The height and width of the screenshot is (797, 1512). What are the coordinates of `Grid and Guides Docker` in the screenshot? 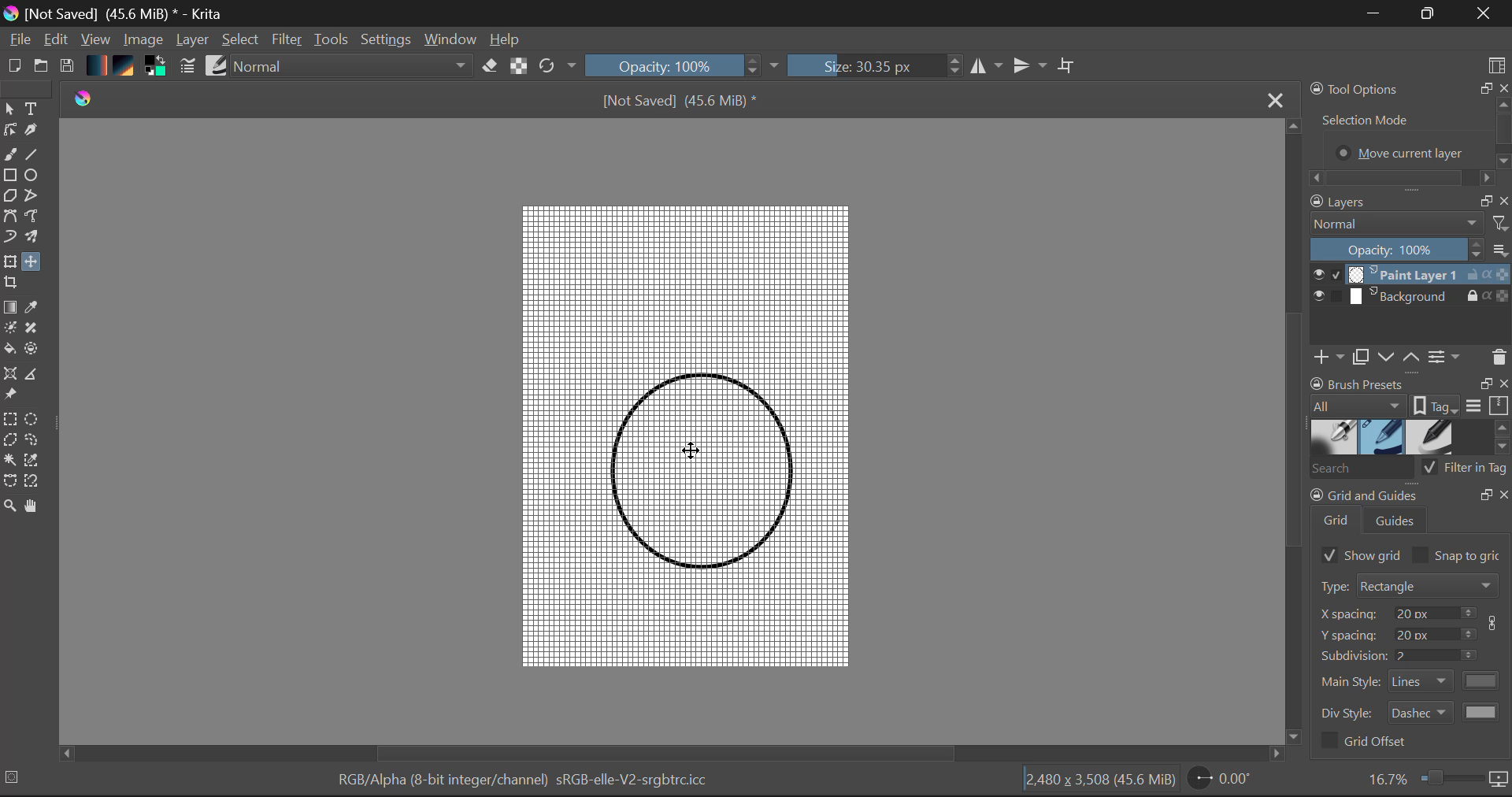 It's located at (1411, 664).